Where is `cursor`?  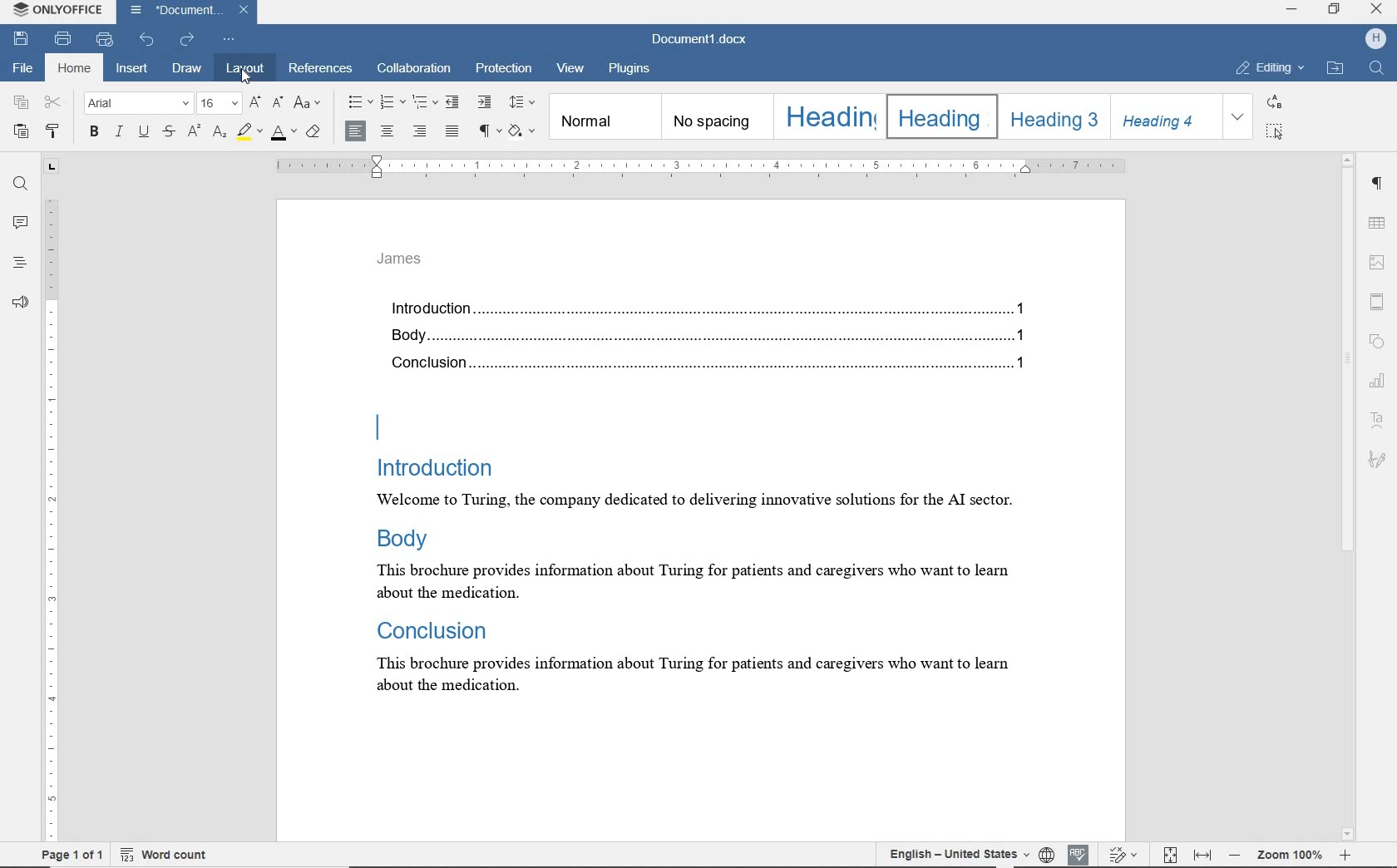
cursor is located at coordinates (249, 79).